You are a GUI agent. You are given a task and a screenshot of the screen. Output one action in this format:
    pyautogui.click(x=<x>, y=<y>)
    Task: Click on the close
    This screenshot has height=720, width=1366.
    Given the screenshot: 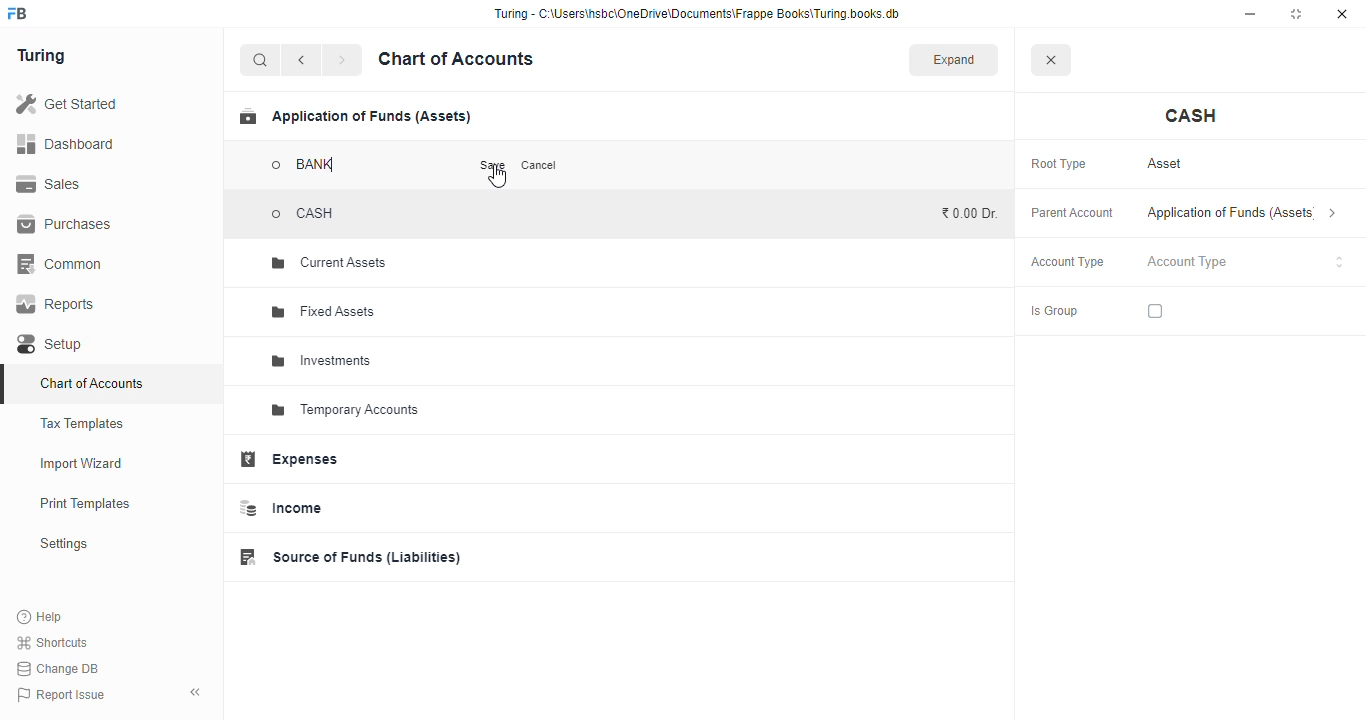 What is the action you would take?
    pyautogui.click(x=1342, y=14)
    